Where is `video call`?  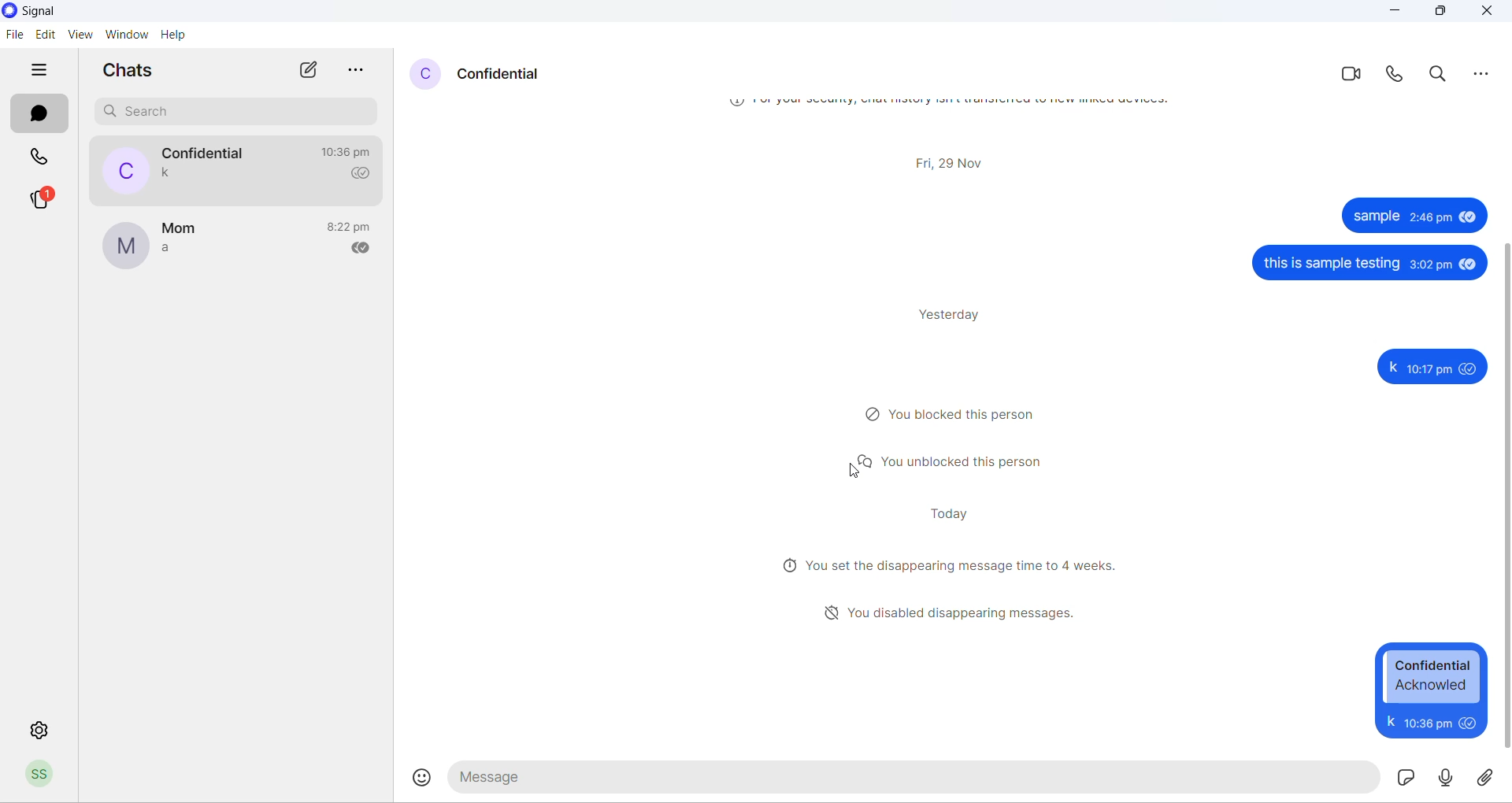 video call is located at coordinates (1349, 73).